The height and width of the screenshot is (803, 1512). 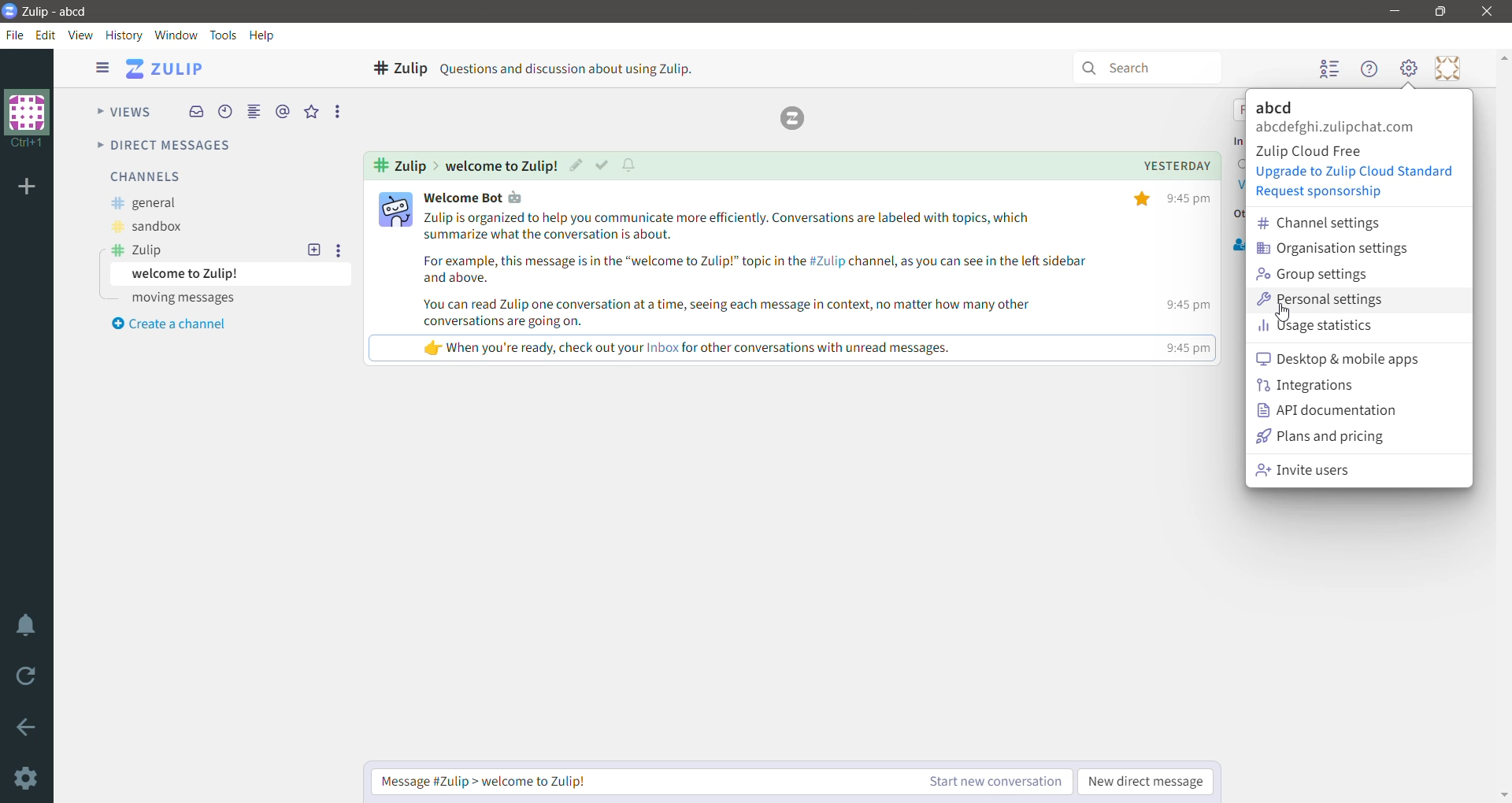 What do you see at coordinates (145, 228) in the screenshot?
I see `sandbox` at bounding box center [145, 228].